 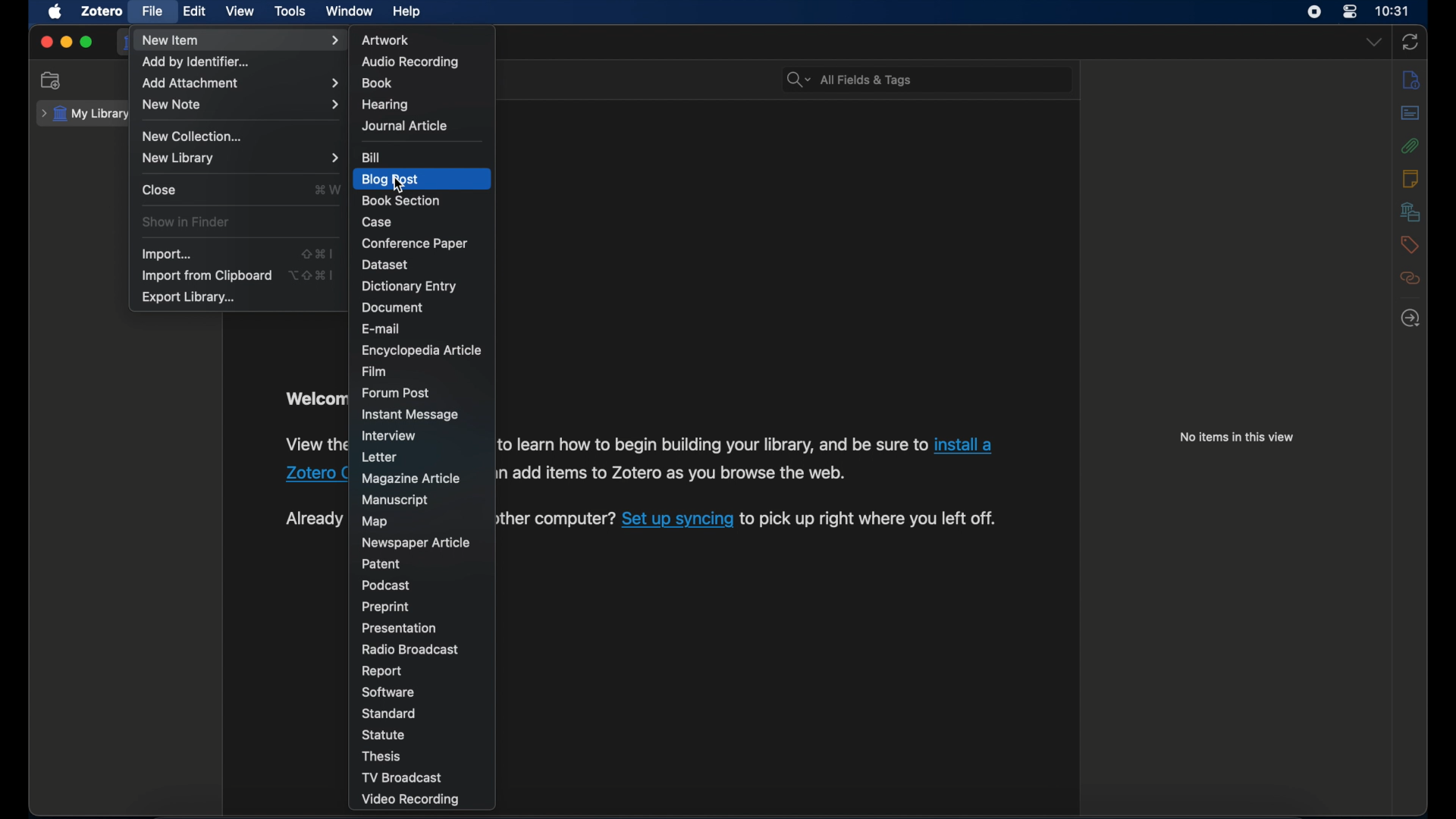 I want to click on thesis, so click(x=381, y=756).